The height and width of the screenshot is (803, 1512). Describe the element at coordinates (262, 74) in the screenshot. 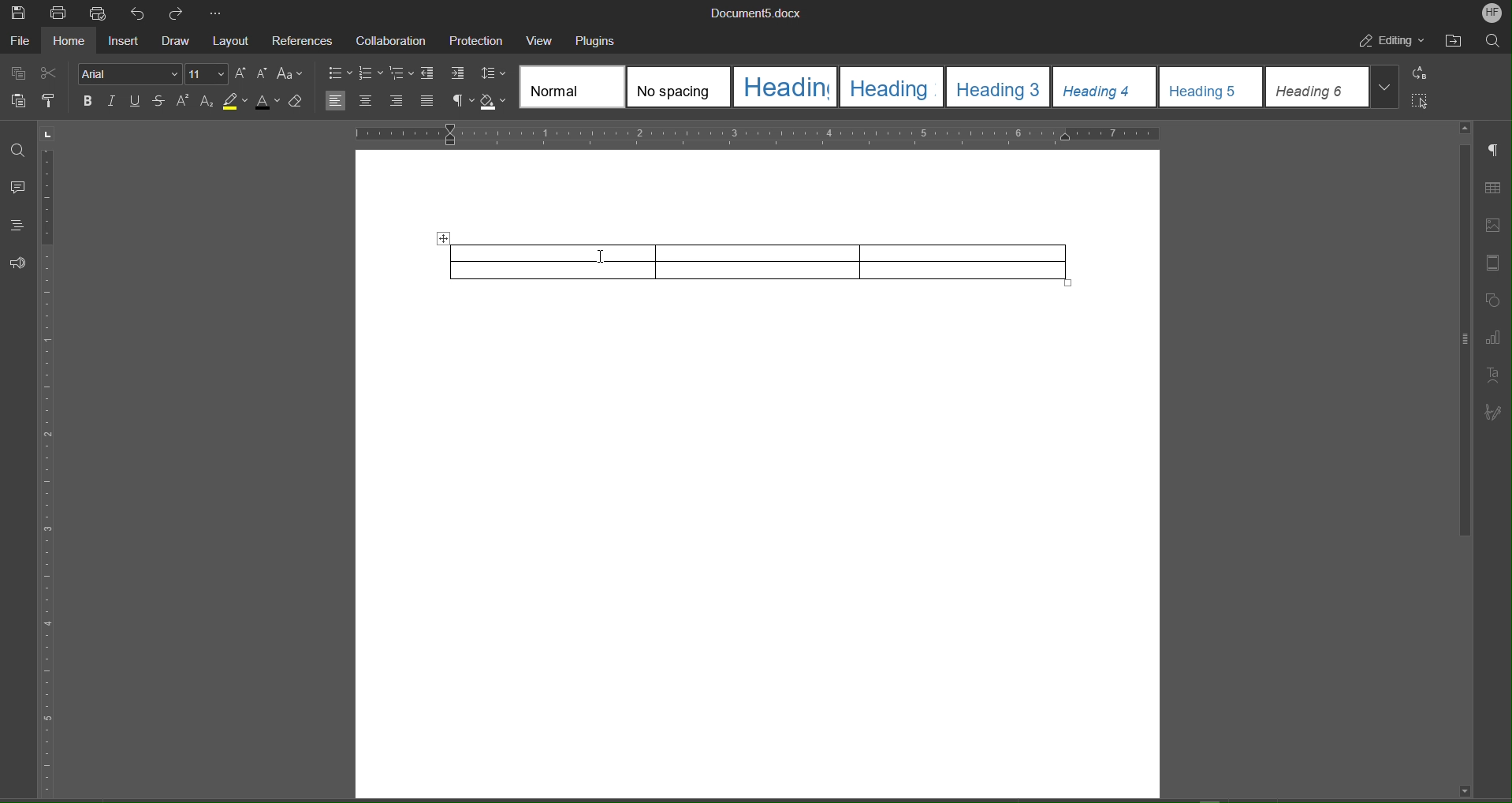

I see `Decrease Size` at that location.